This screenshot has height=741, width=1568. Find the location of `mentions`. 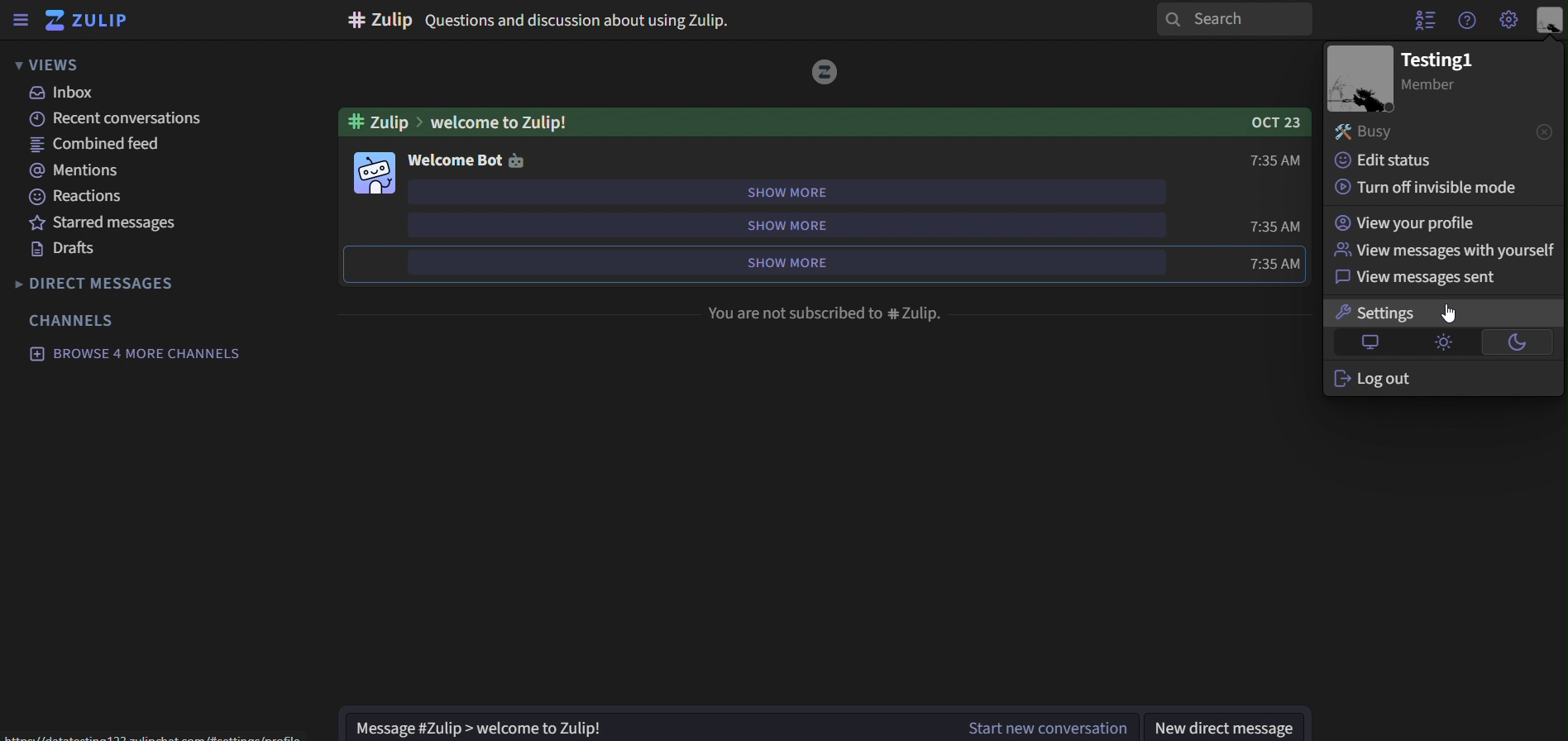

mentions is located at coordinates (73, 170).